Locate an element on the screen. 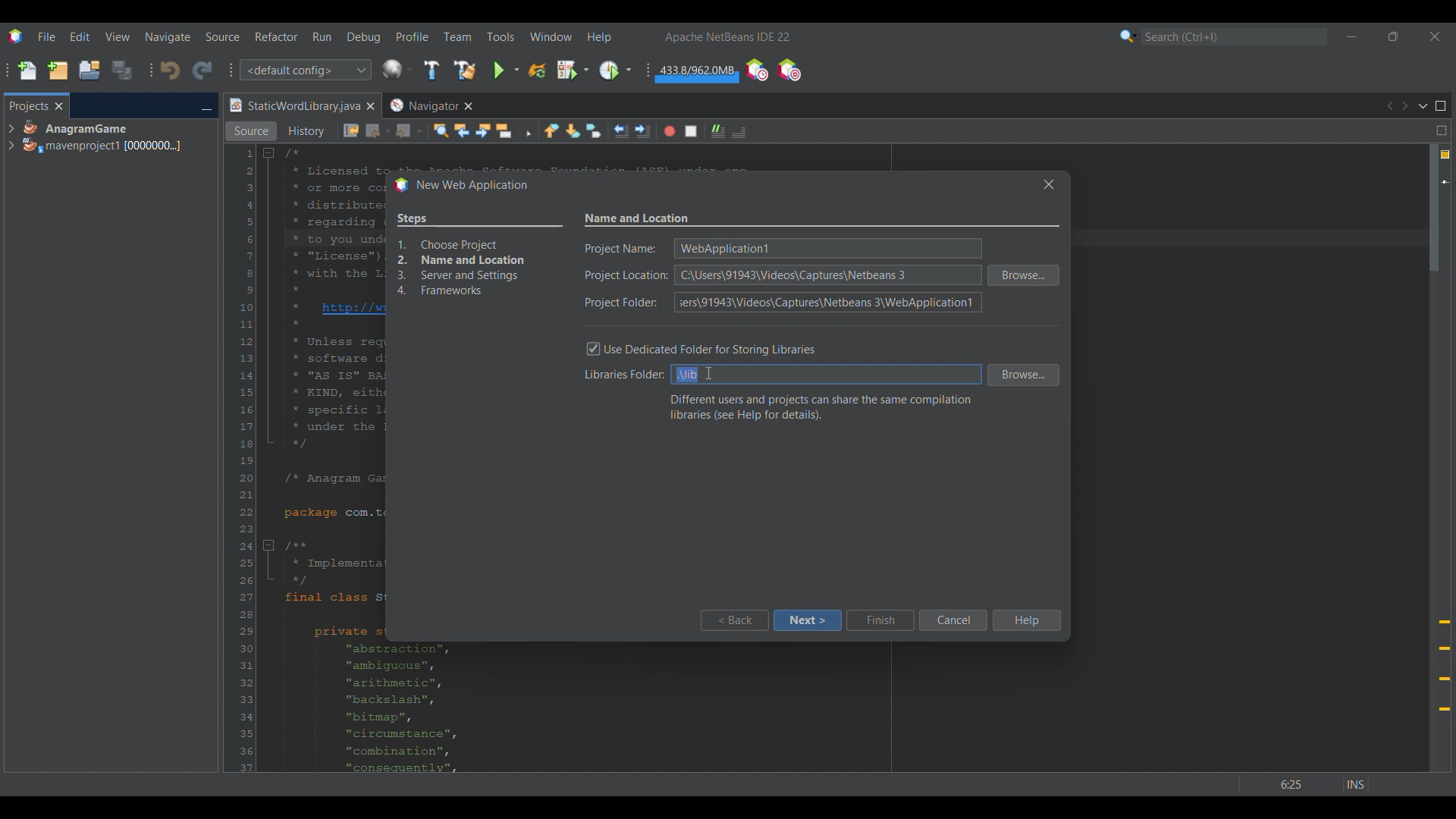 The width and height of the screenshot is (1456, 819). Minimize is located at coordinates (206, 107).